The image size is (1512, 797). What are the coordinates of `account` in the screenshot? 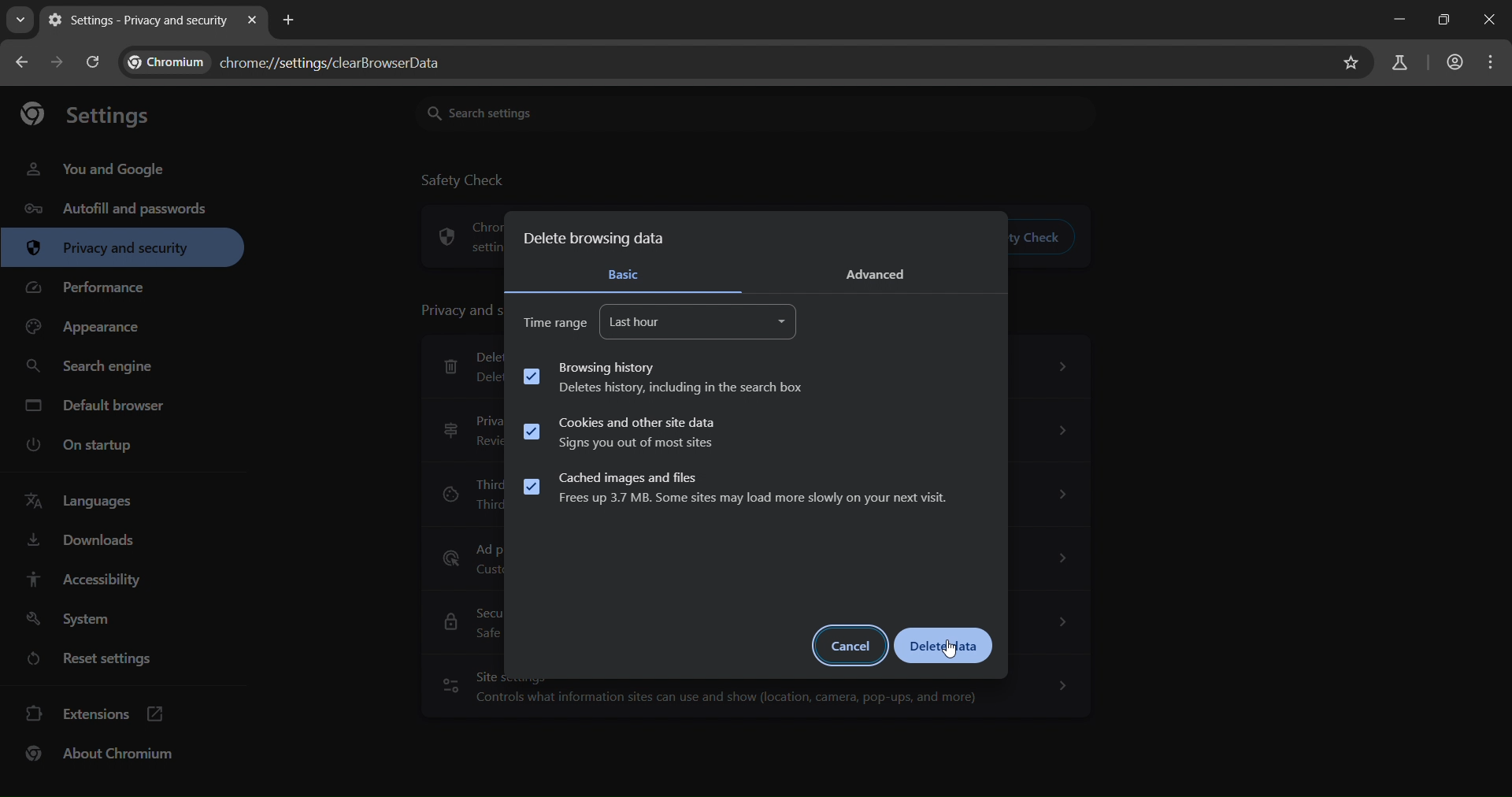 It's located at (1453, 62).